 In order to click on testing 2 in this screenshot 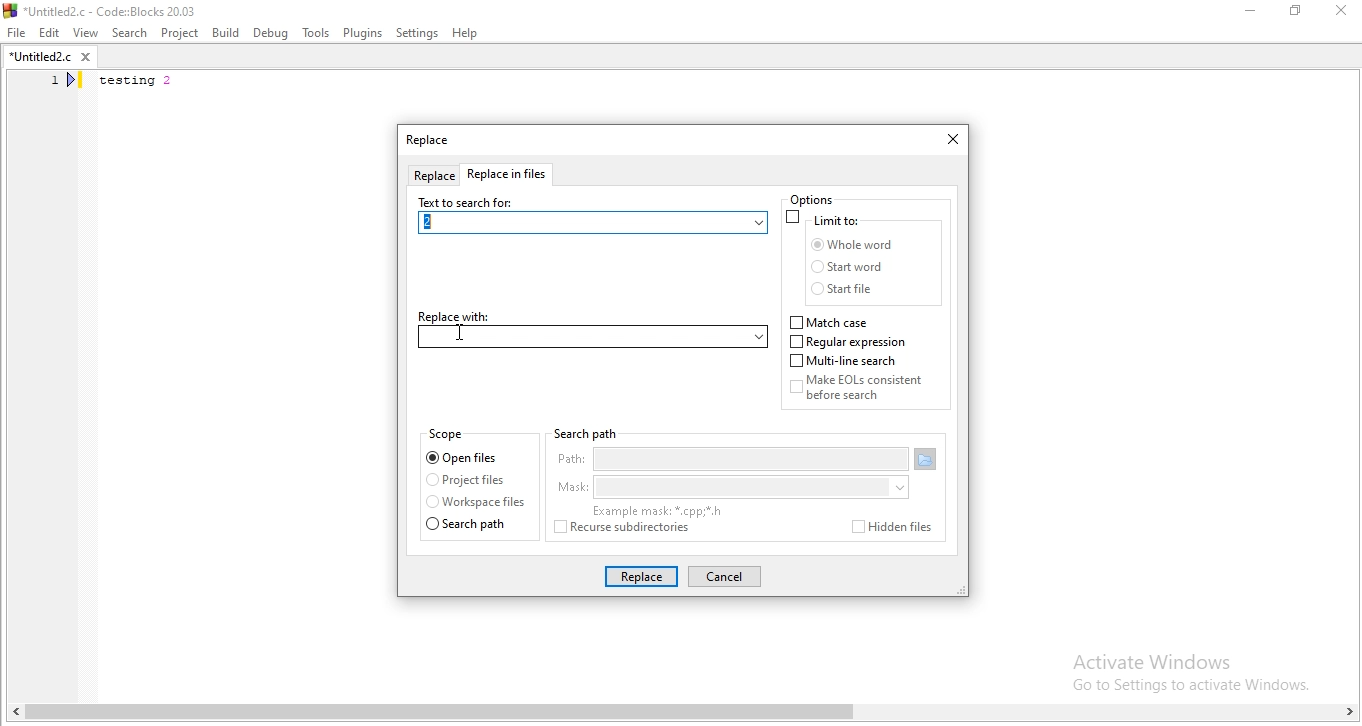, I will do `click(140, 83)`.